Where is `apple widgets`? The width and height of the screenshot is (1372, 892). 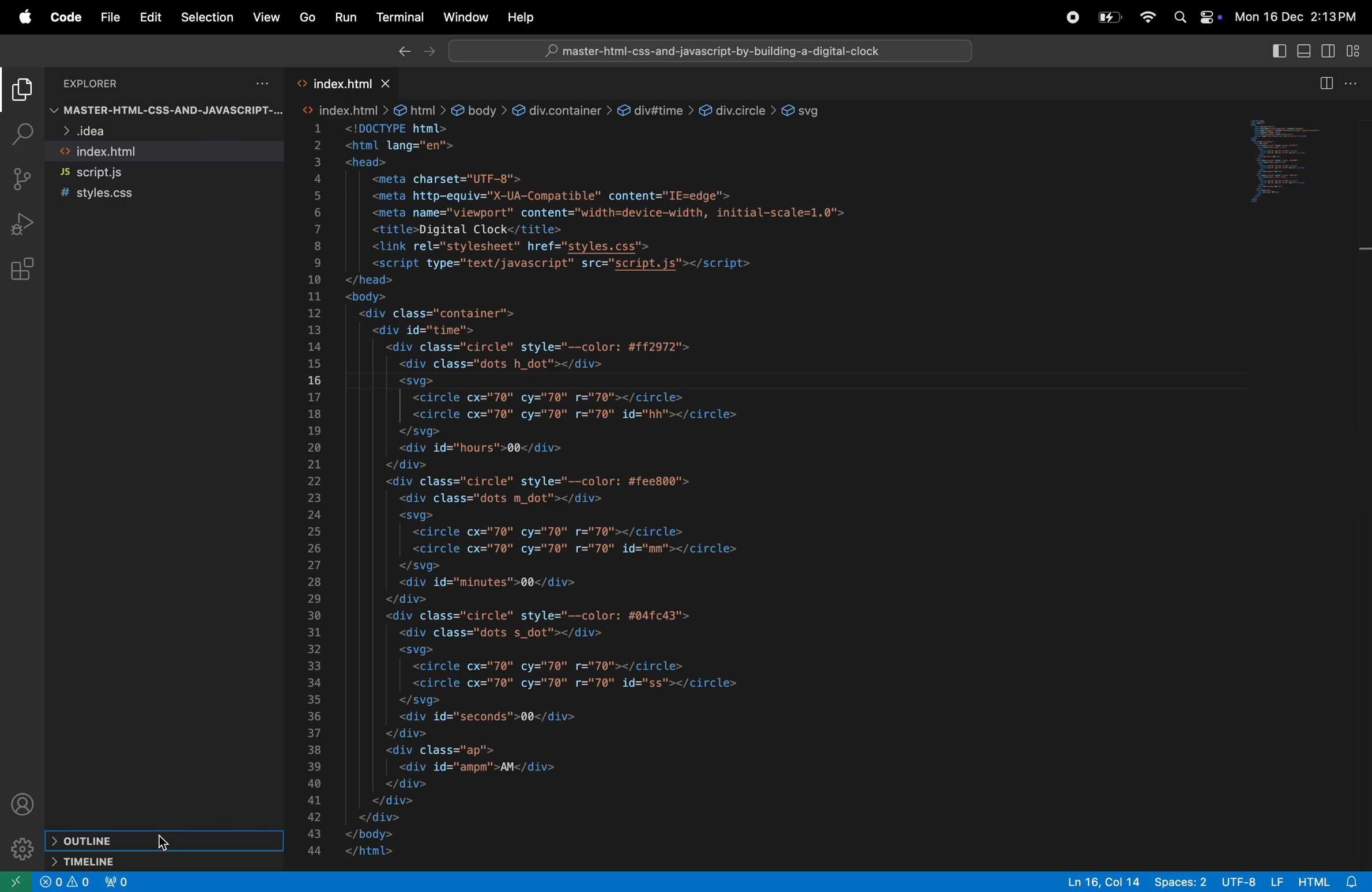
apple widgets is located at coordinates (1211, 17).